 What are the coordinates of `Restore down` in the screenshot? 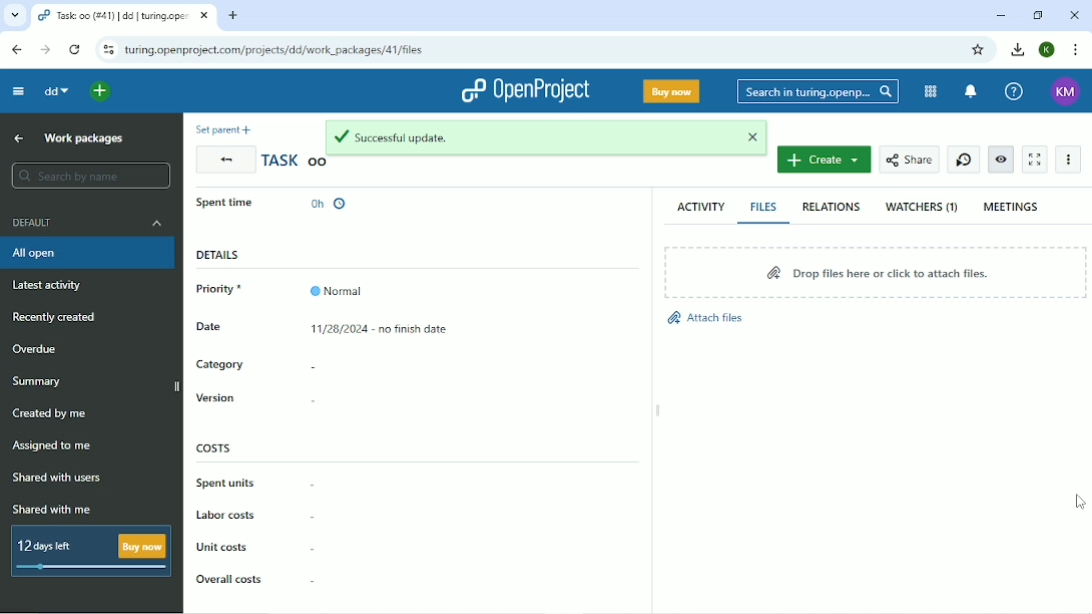 It's located at (1037, 15).